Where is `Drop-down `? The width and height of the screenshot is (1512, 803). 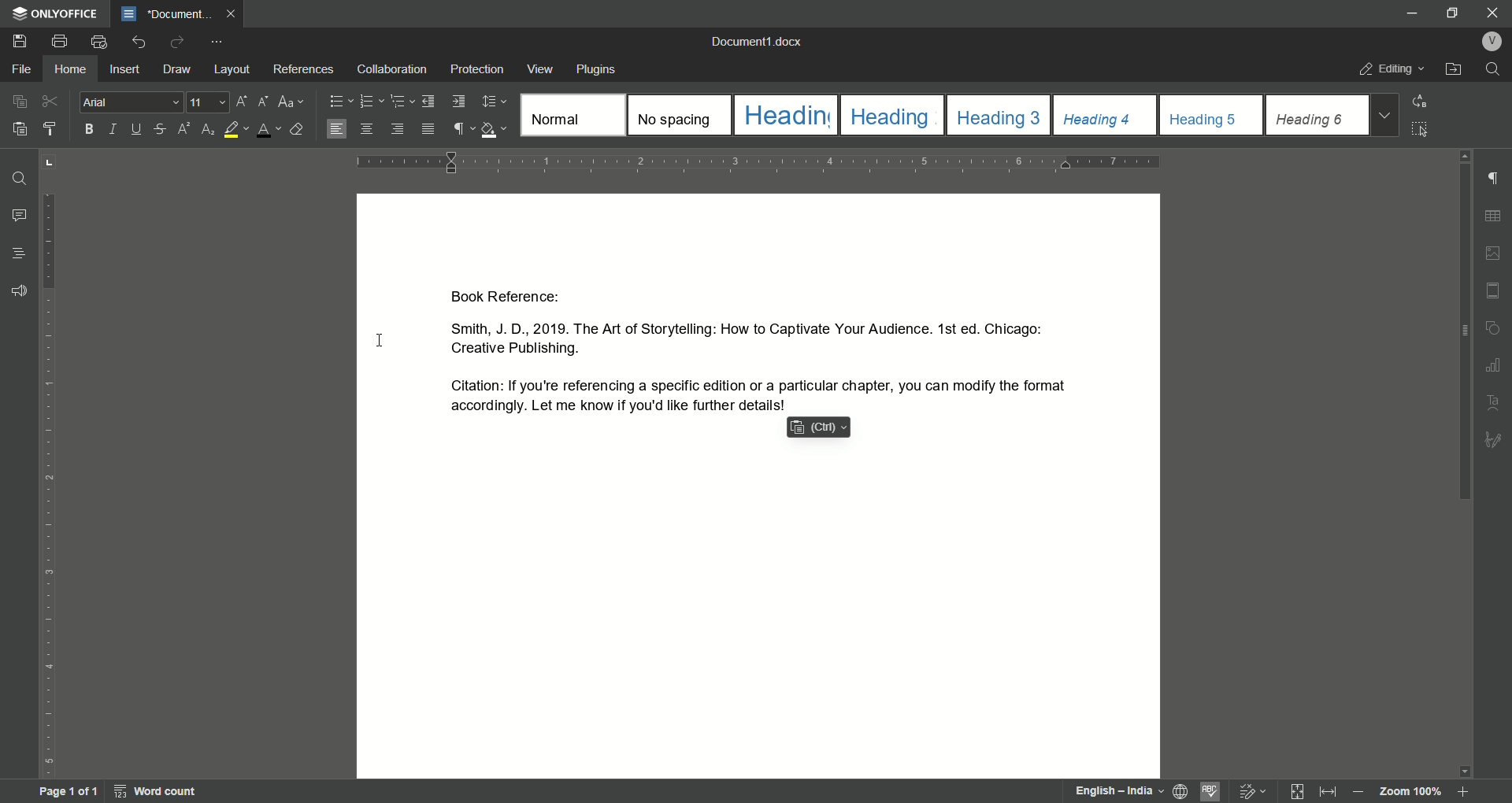 Drop-down  is located at coordinates (1384, 116).